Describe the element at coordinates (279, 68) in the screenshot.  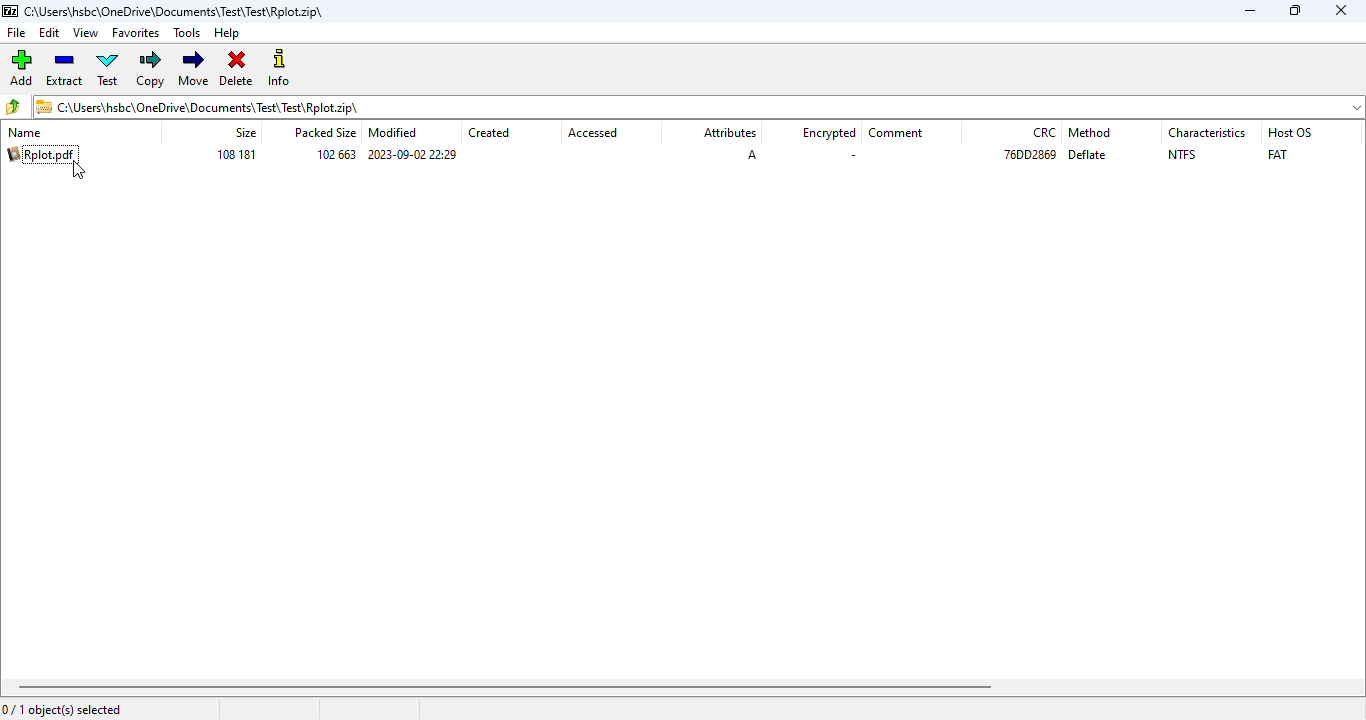
I see `info` at that location.